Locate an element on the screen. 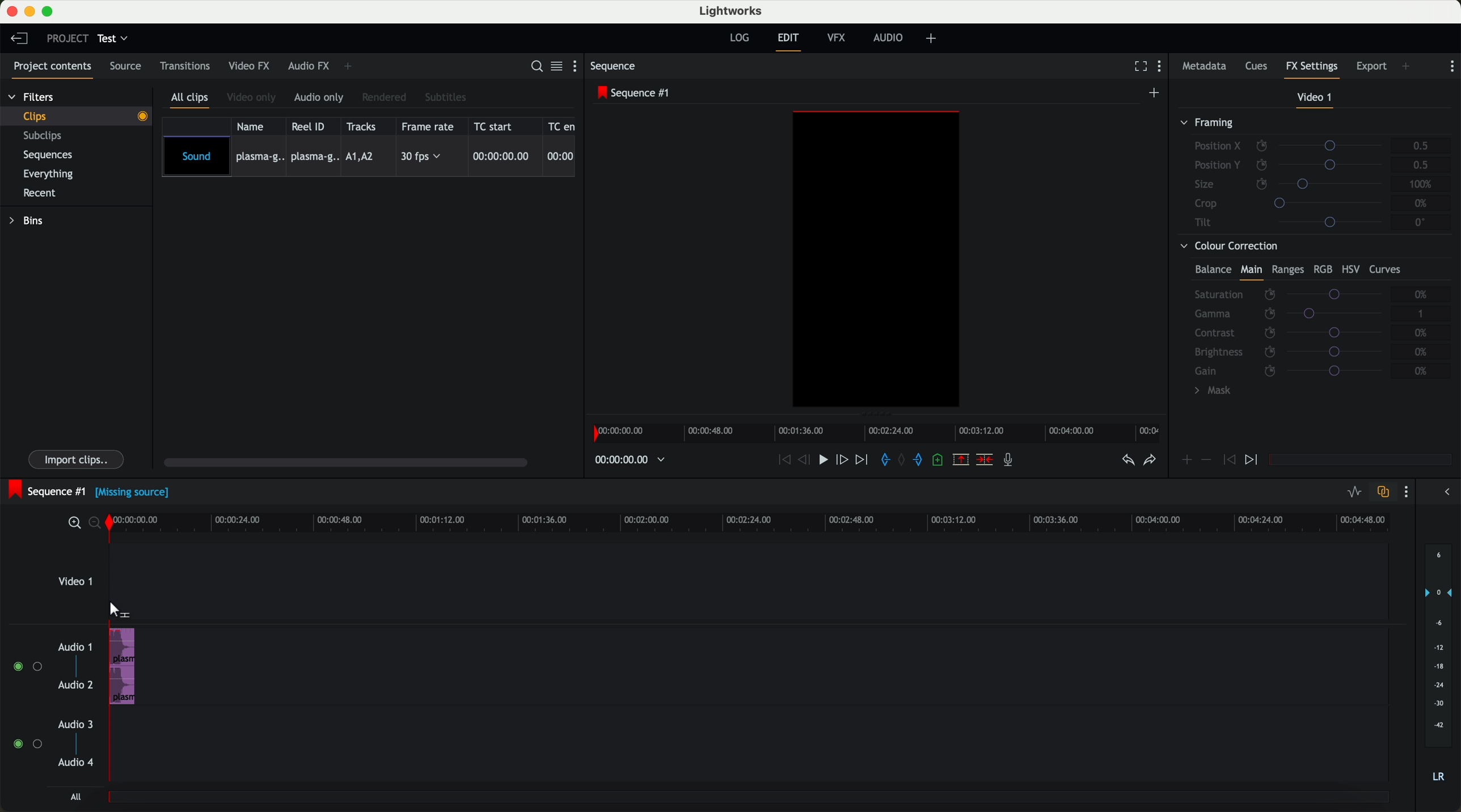 This screenshot has height=812, width=1461. tracks is located at coordinates (364, 126).